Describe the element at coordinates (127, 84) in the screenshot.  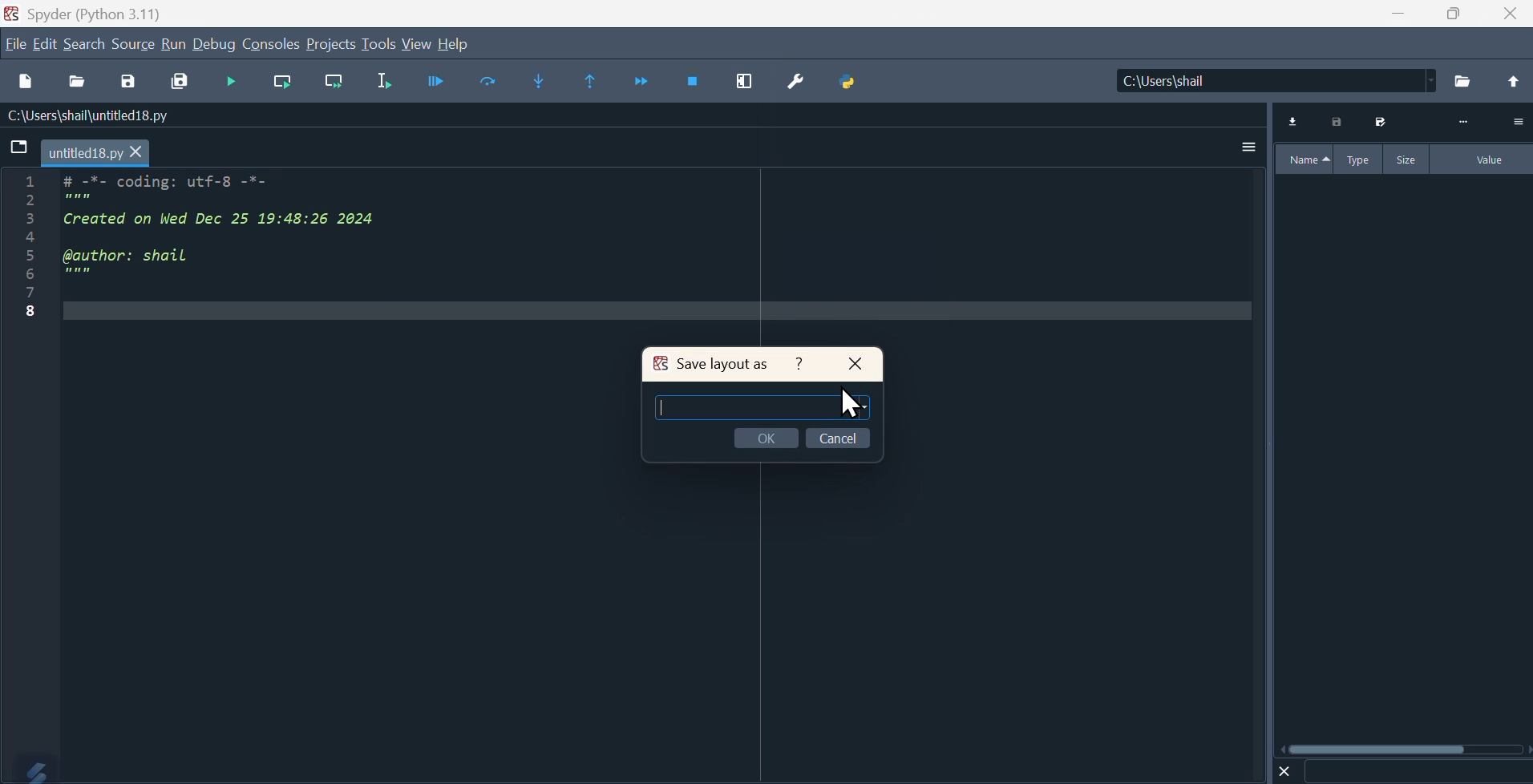
I see `save` at that location.